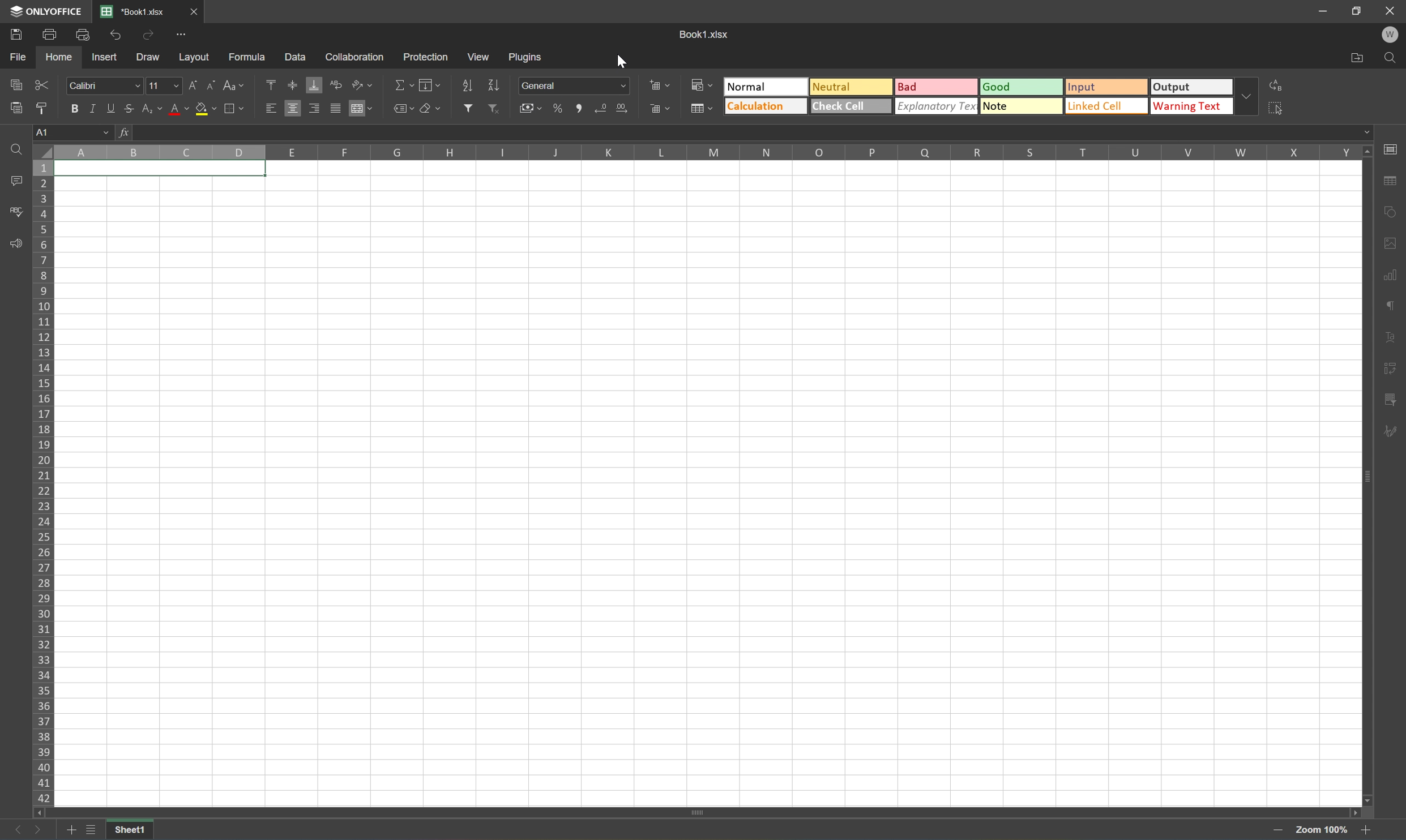 The height and width of the screenshot is (840, 1406). I want to click on Decrement font size, so click(212, 87).